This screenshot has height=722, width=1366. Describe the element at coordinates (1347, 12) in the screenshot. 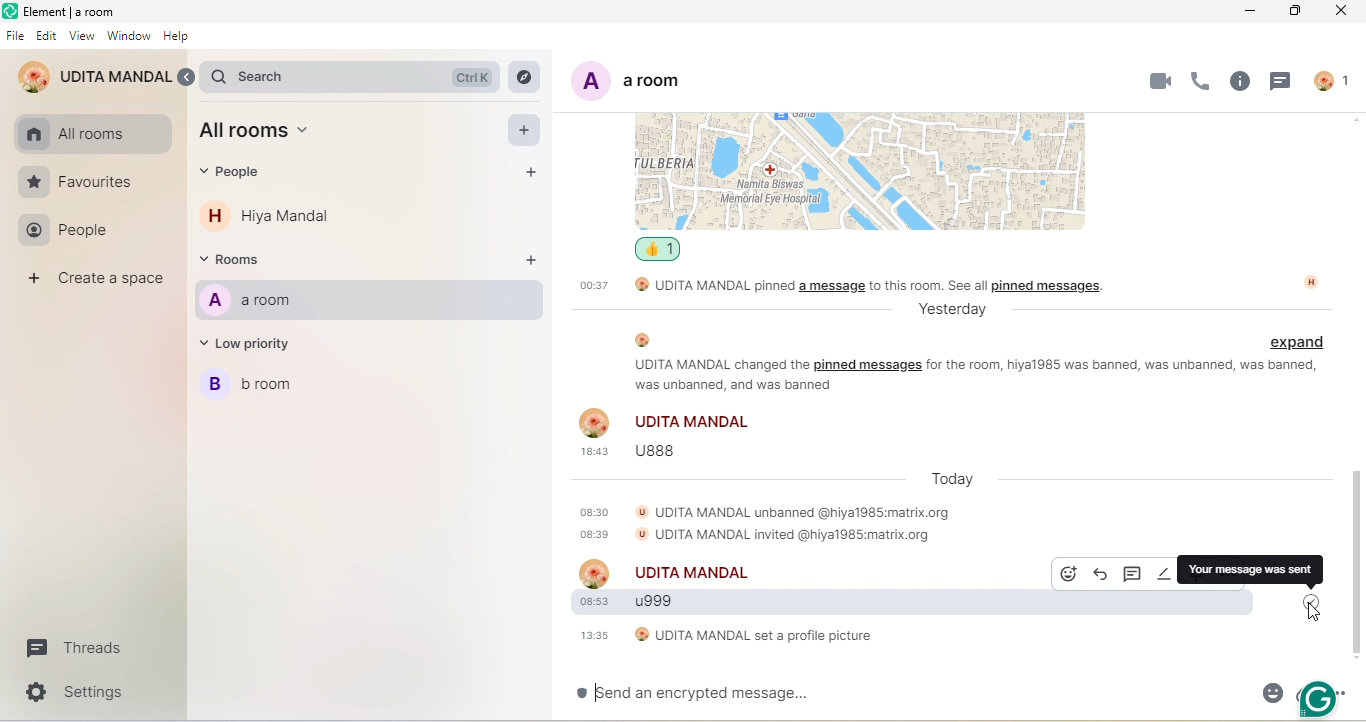

I see `Close` at that location.